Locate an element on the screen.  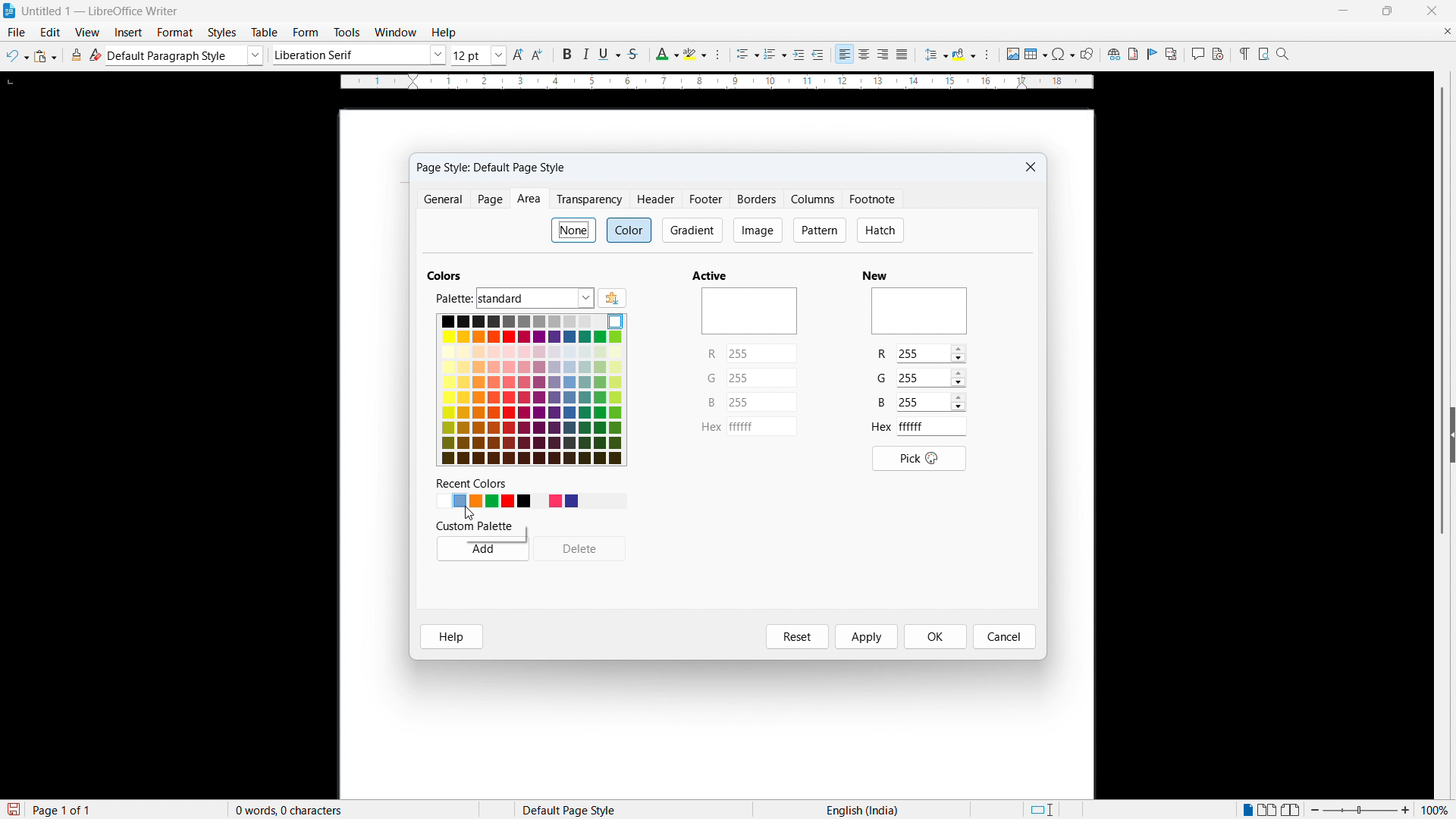
Active  is located at coordinates (711, 275).